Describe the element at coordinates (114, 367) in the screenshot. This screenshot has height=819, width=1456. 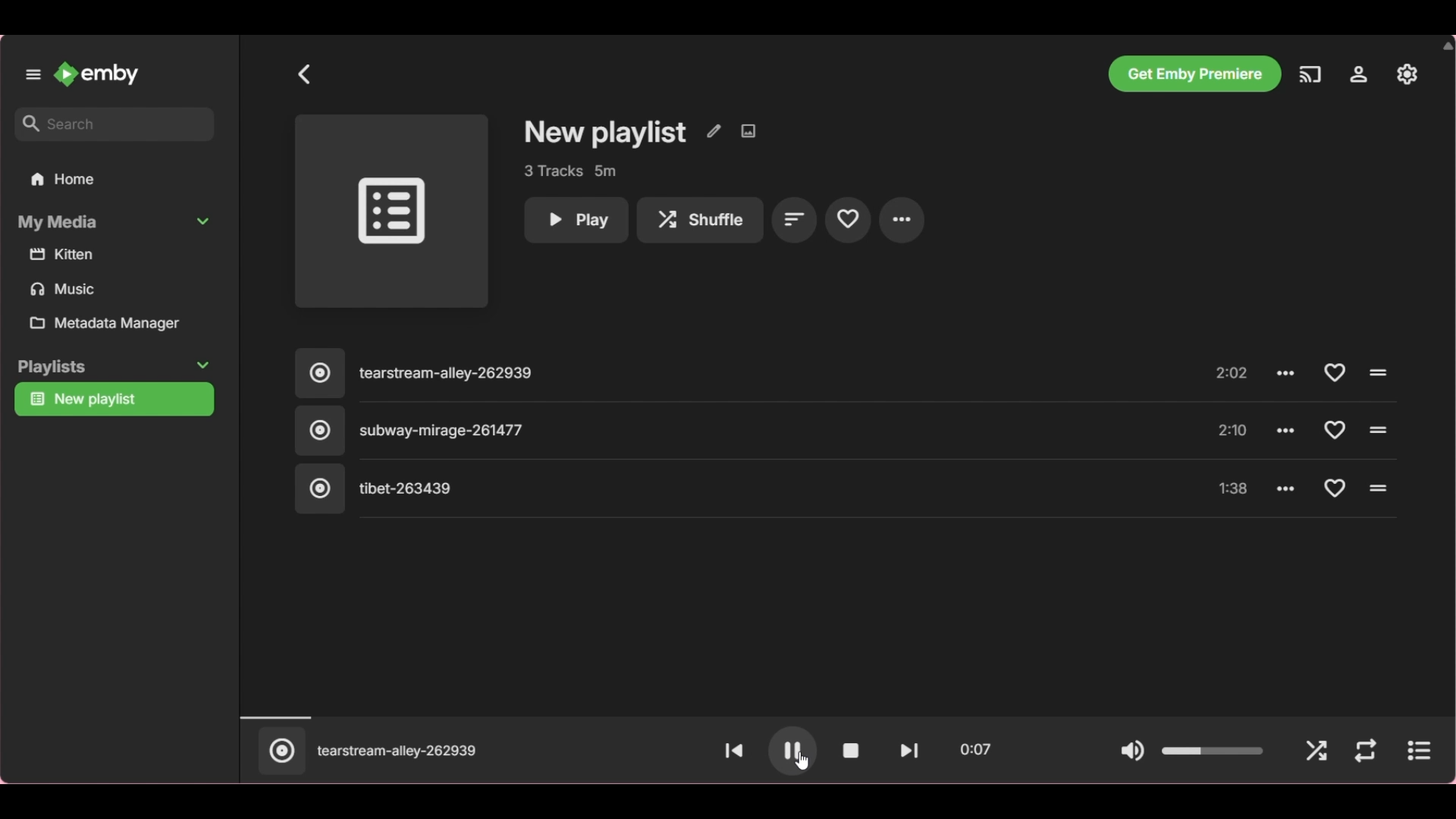
I see `Collapse Playlists` at that location.